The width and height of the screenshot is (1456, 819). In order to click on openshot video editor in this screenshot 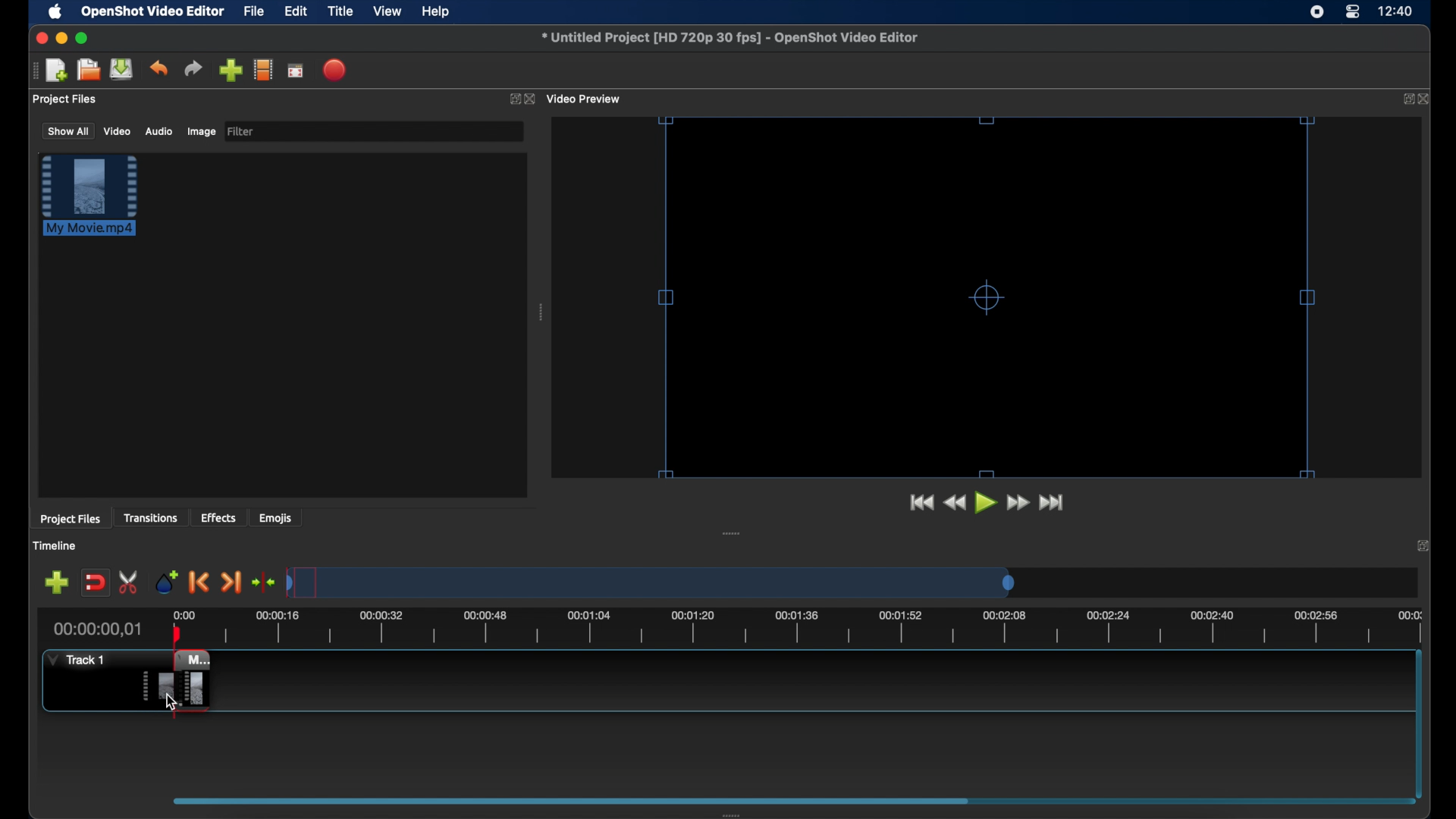, I will do `click(154, 12)`.